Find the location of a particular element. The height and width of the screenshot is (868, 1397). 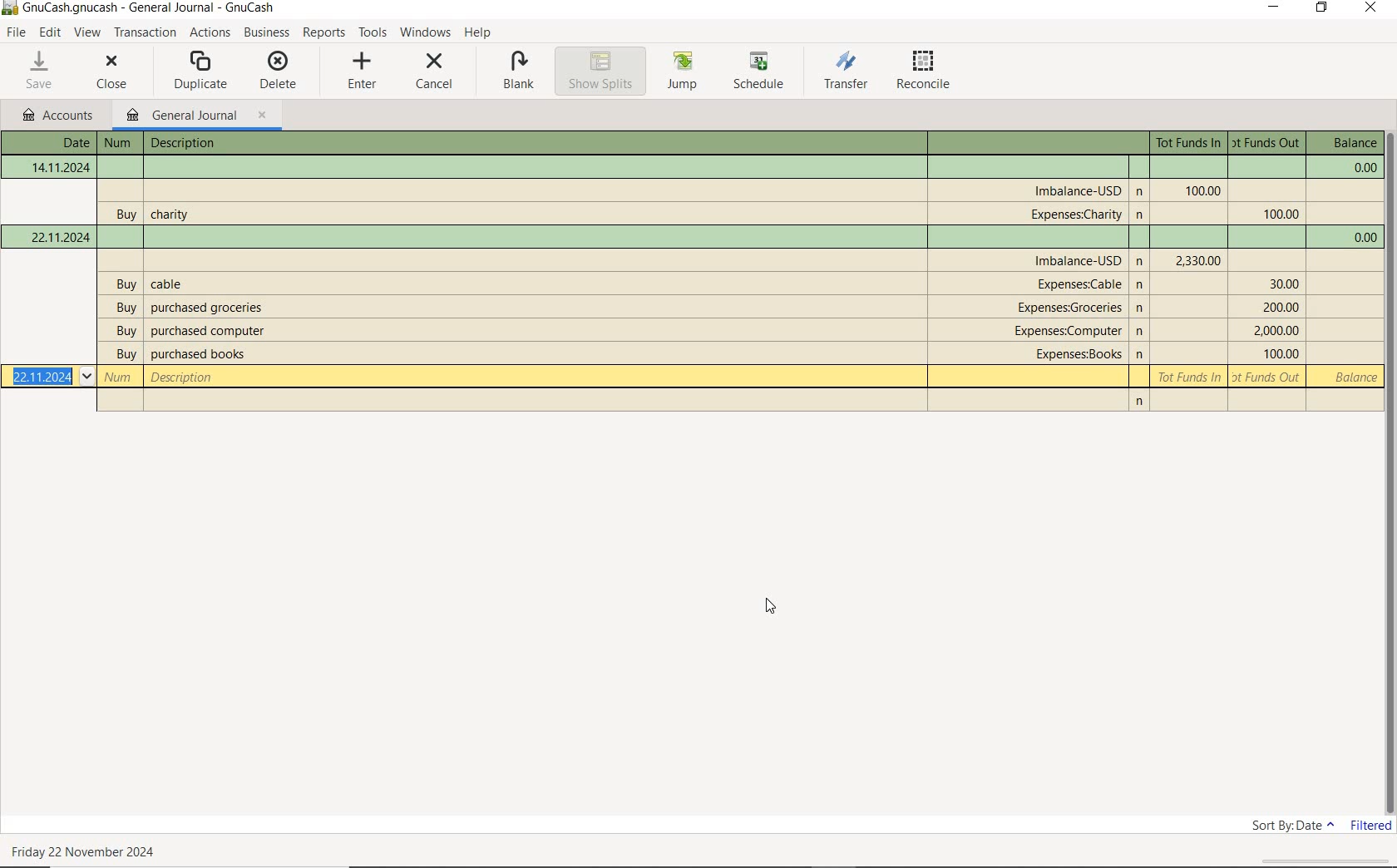

account is located at coordinates (1079, 260).